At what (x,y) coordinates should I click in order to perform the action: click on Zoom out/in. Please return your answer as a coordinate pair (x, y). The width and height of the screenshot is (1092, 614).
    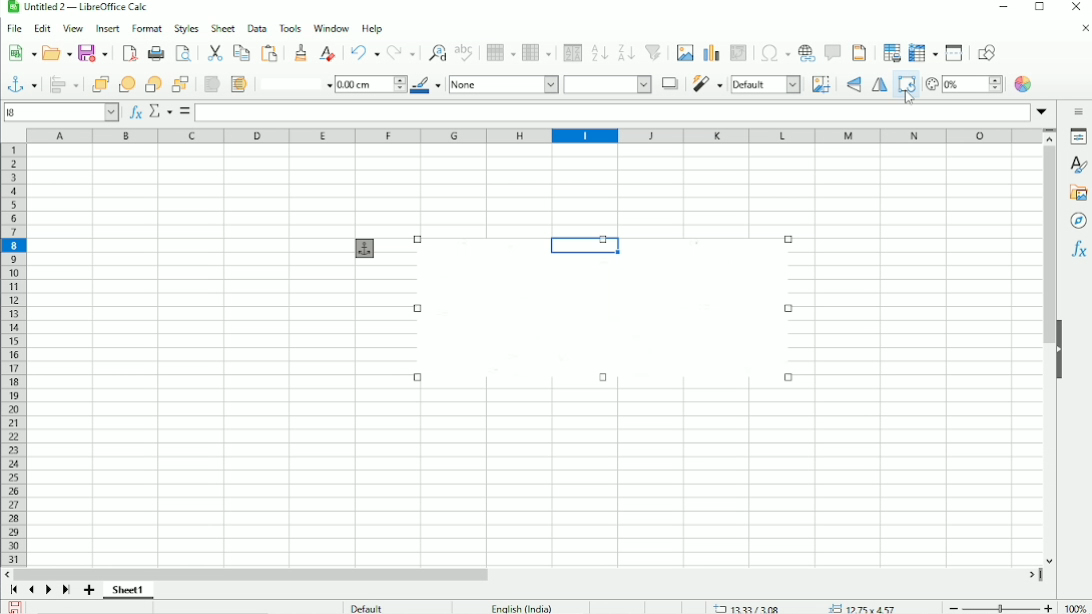
    Looking at the image, I should click on (998, 605).